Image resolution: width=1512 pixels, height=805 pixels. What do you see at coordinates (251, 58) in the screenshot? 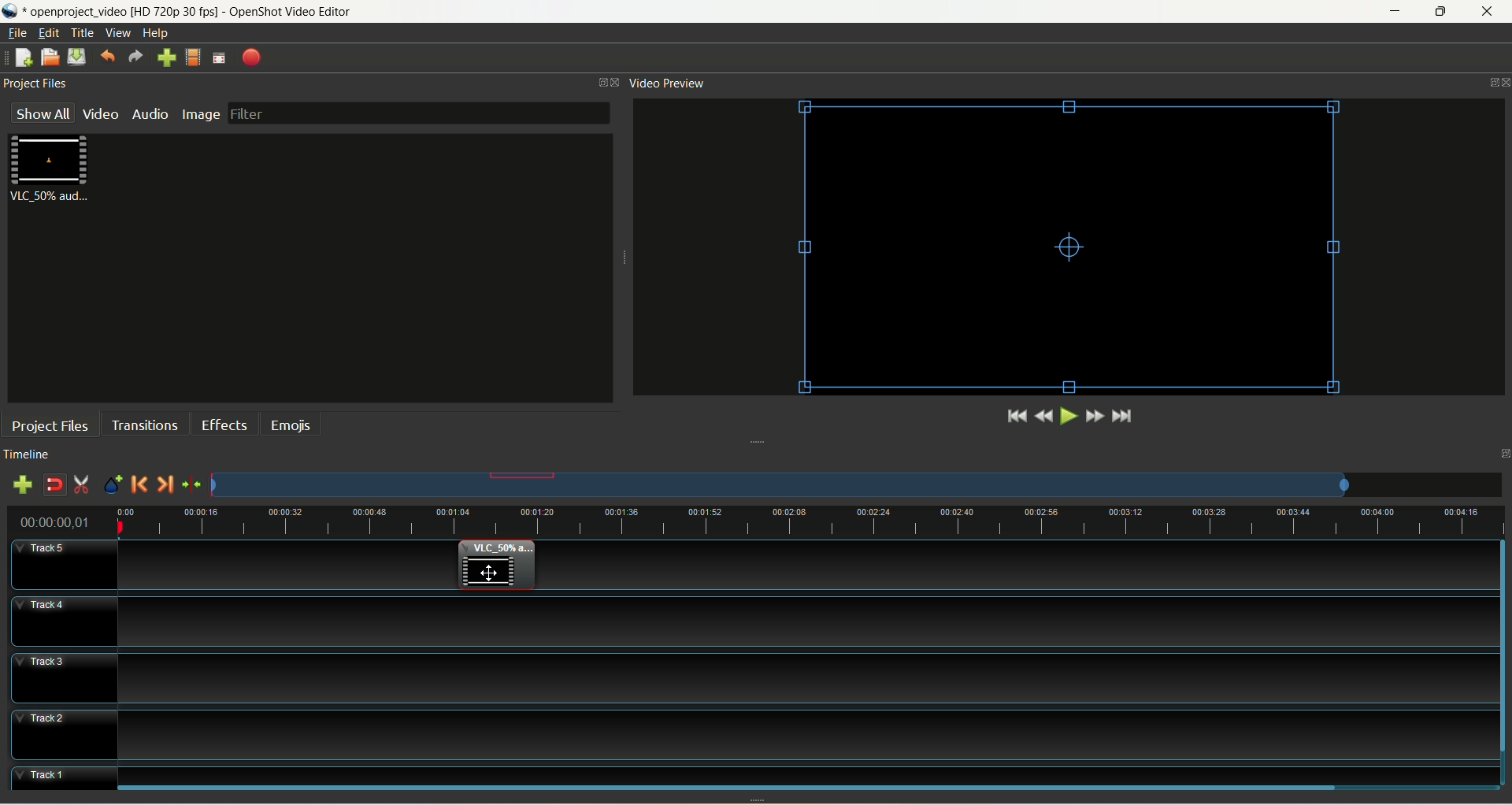
I see `export video` at bounding box center [251, 58].